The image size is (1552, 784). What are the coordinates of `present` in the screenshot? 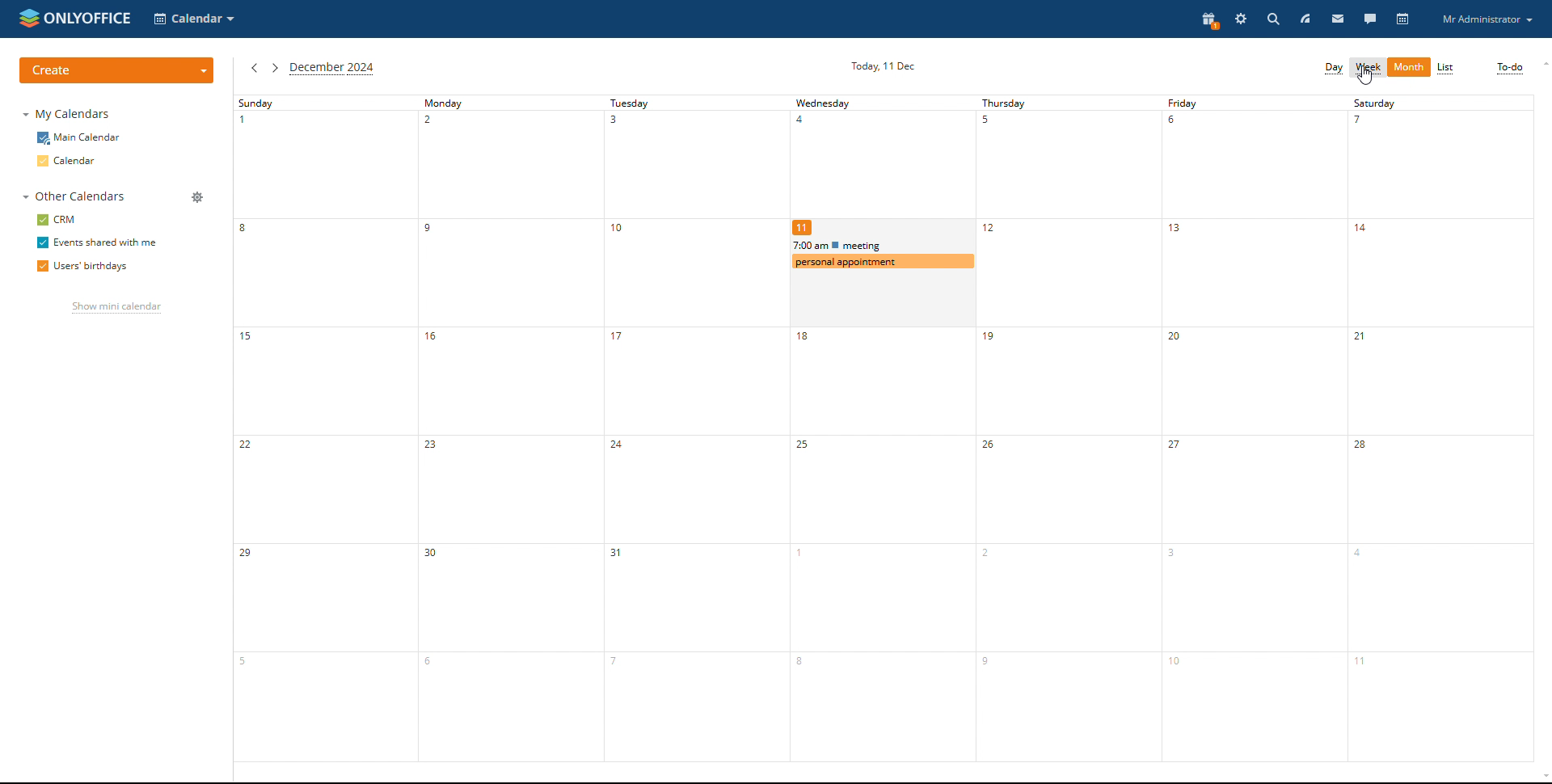 It's located at (1210, 19).